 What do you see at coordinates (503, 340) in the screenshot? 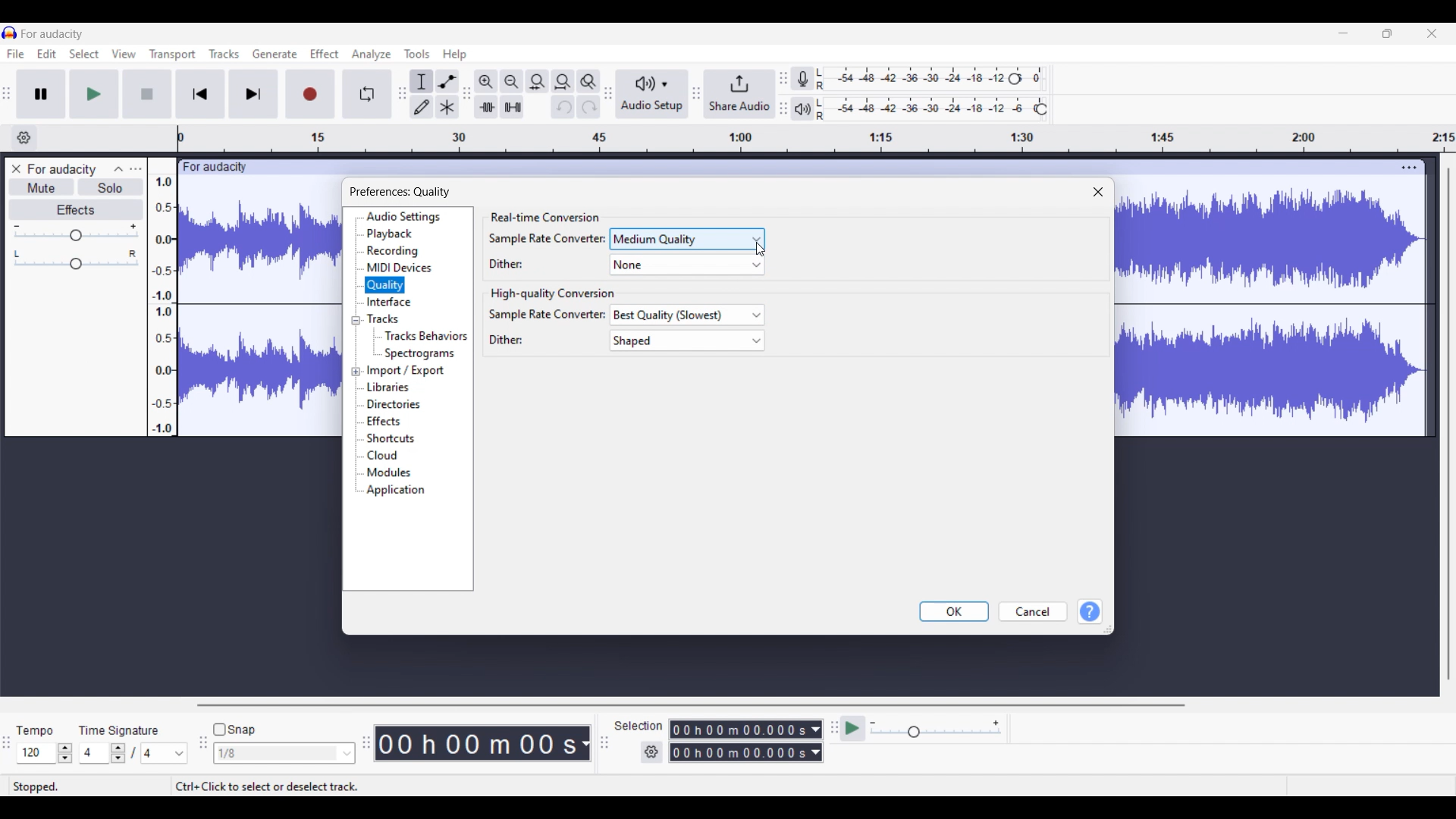
I see `dither:` at bounding box center [503, 340].